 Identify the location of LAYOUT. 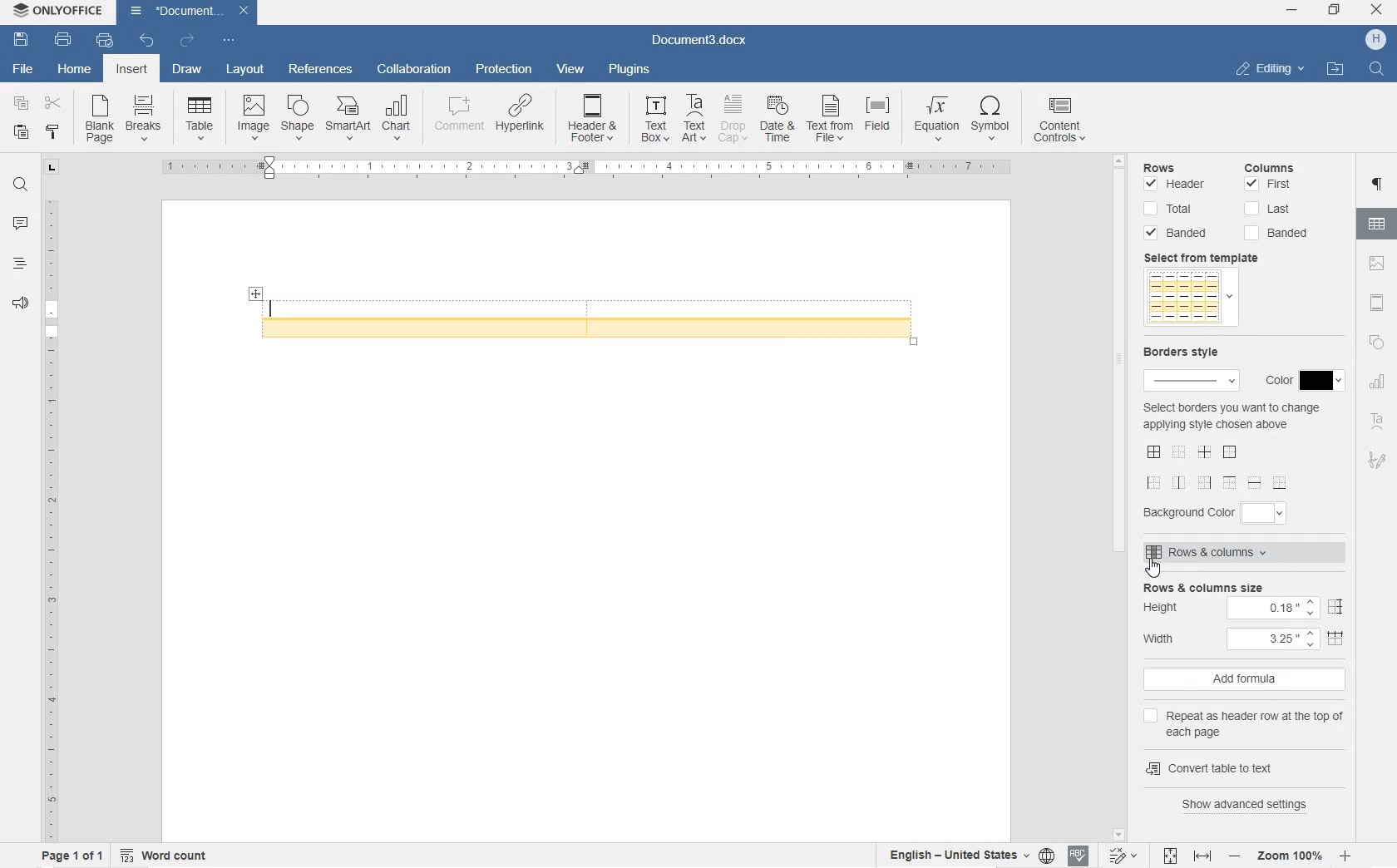
(246, 71).